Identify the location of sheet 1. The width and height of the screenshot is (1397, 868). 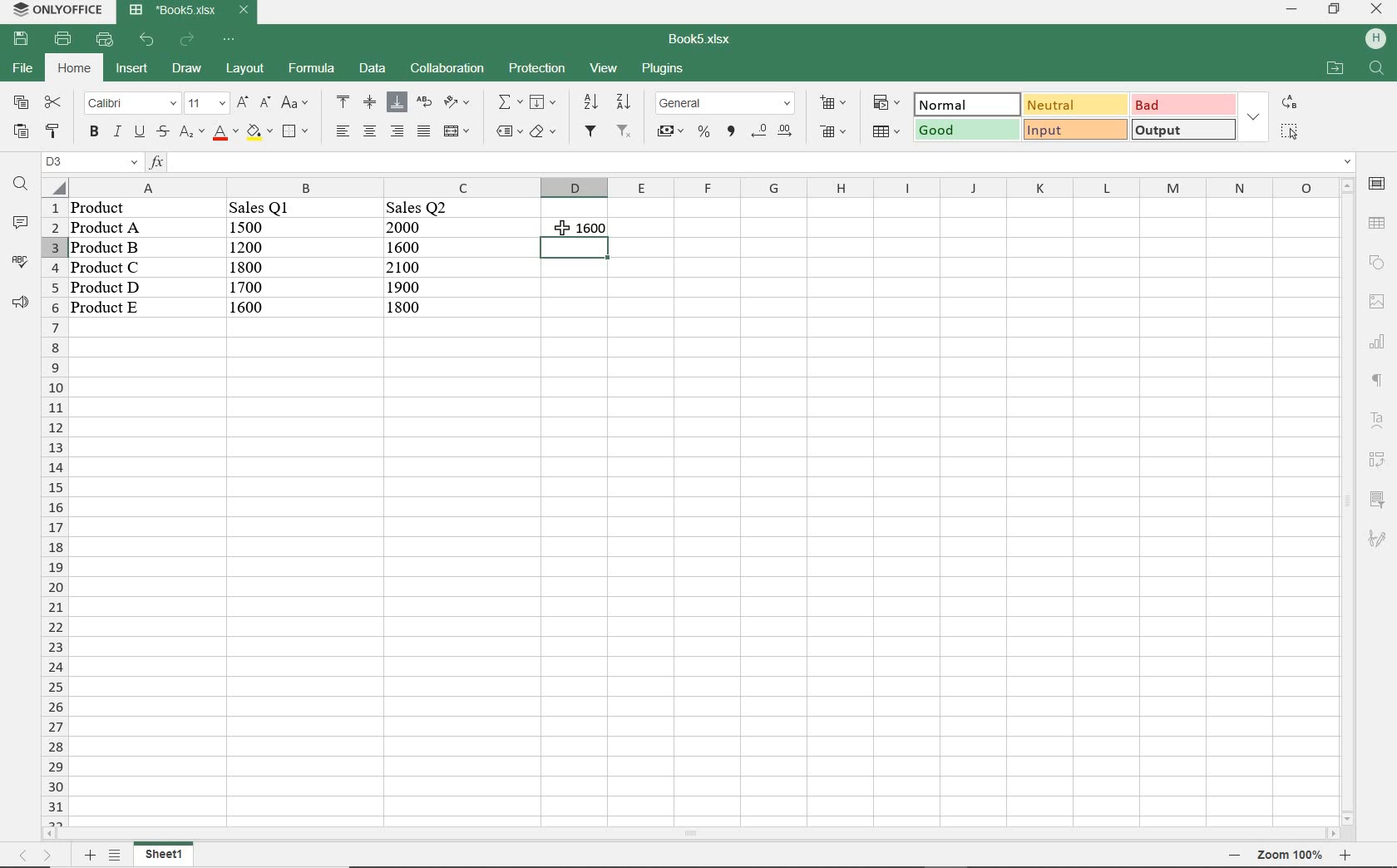
(165, 853).